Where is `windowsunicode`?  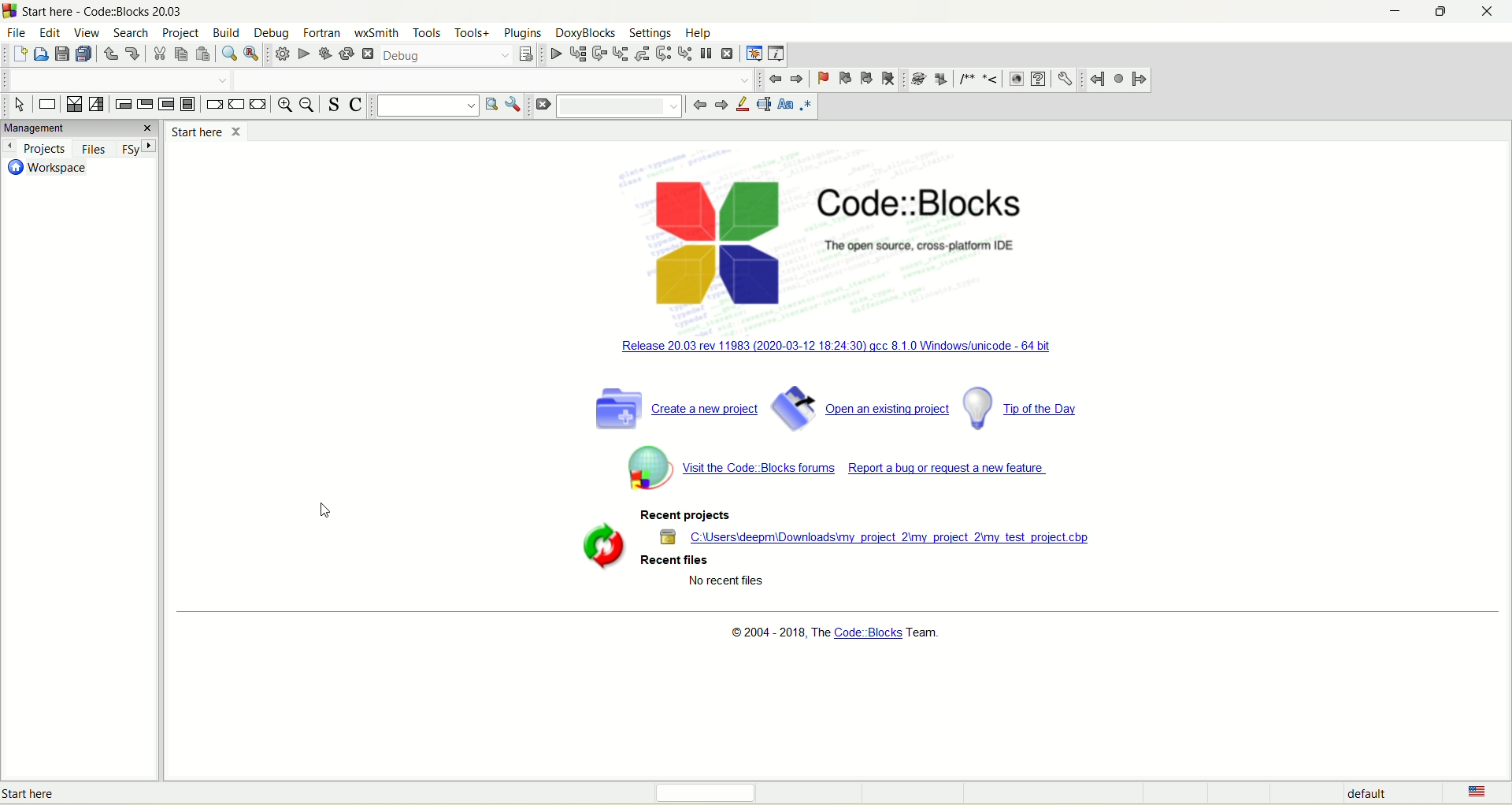
windowsunicode is located at coordinates (862, 350).